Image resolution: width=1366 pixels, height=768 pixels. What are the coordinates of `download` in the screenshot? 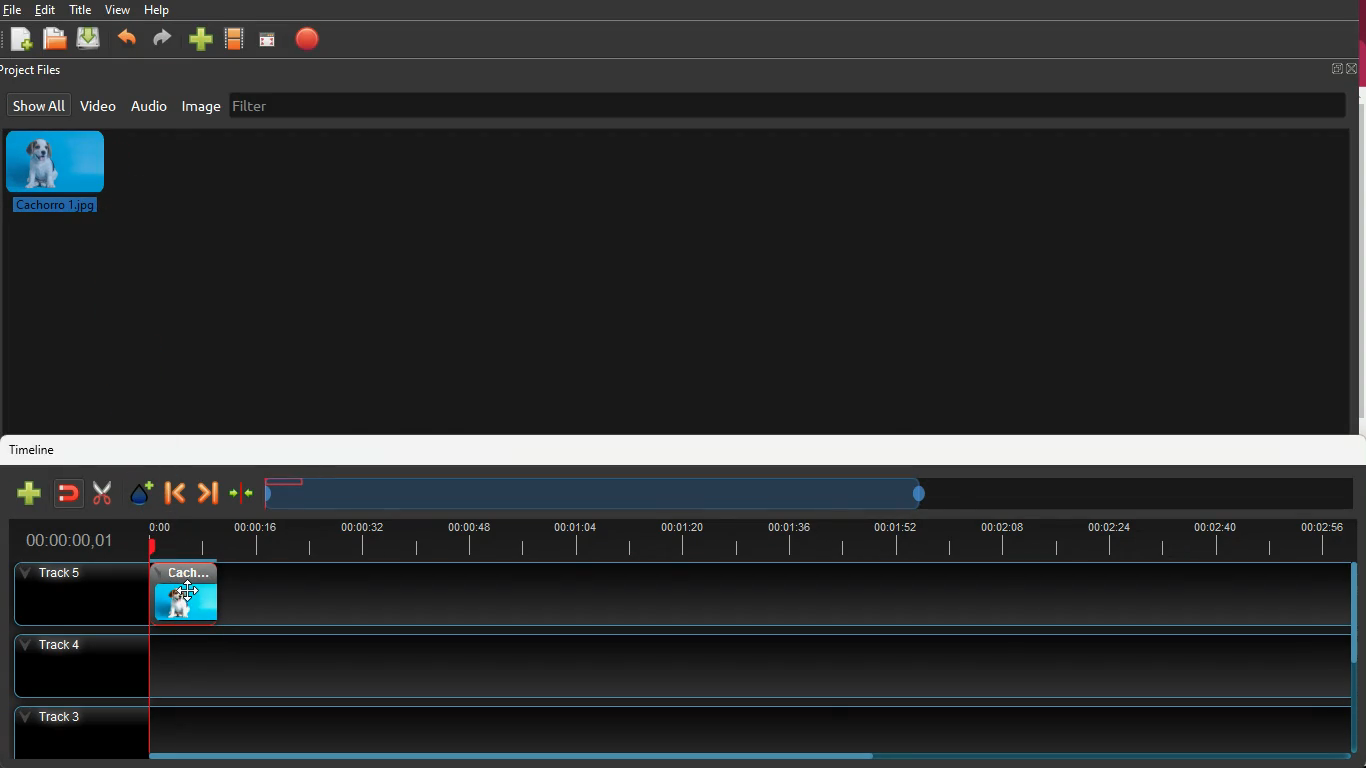 It's located at (90, 37).